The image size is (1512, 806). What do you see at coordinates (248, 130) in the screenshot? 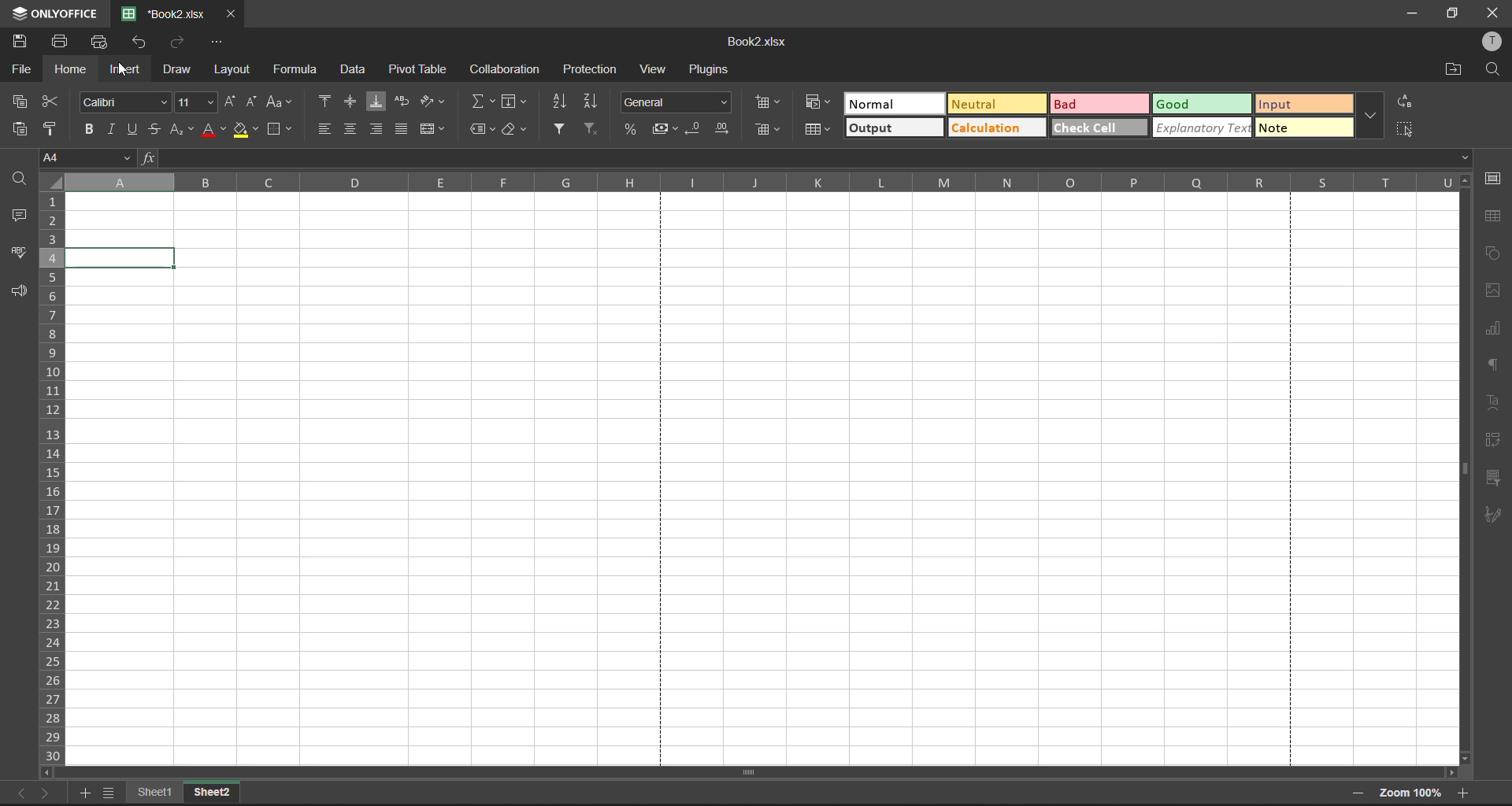
I see `fill color` at bounding box center [248, 130].